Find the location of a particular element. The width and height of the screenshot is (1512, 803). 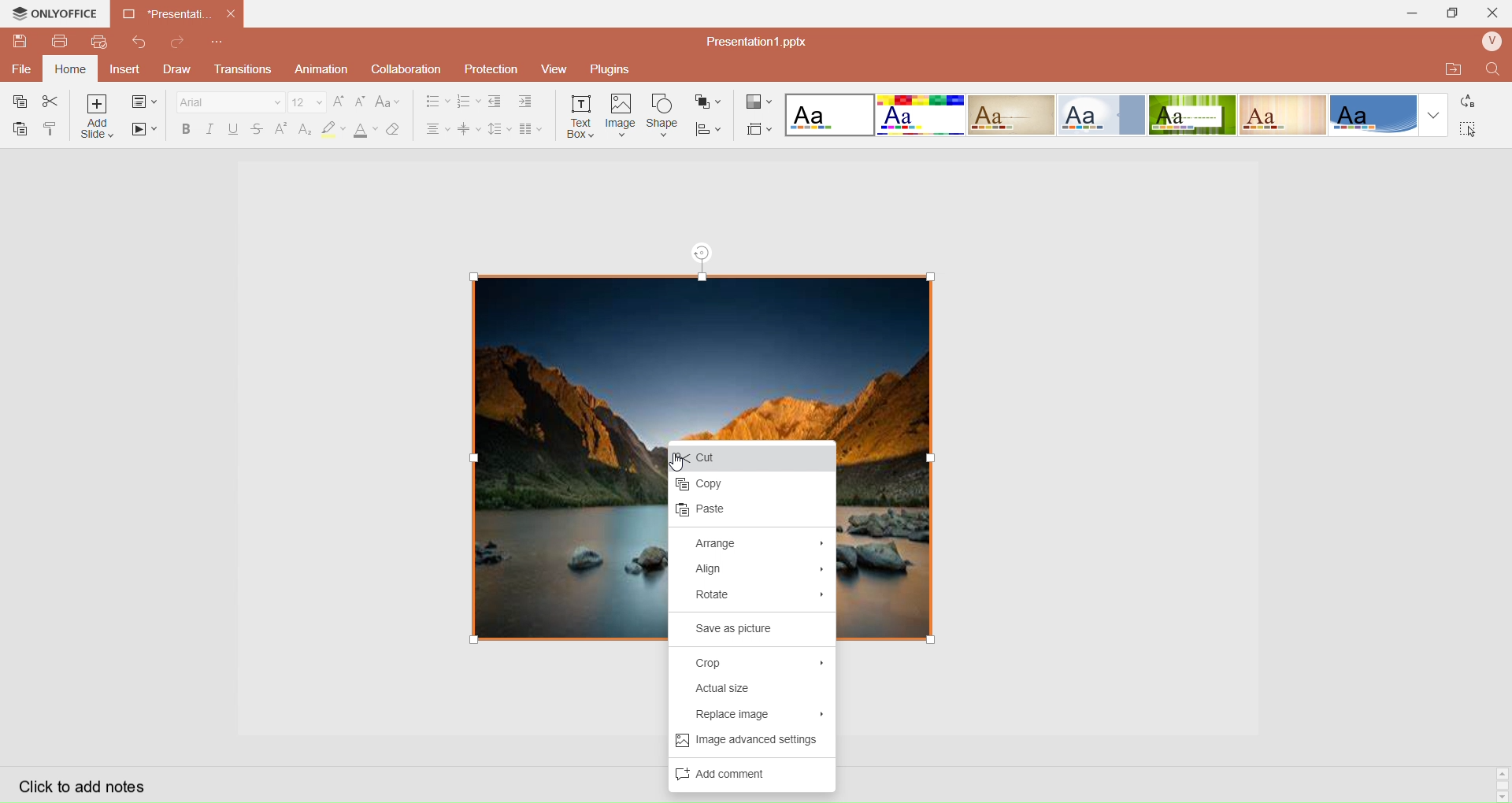

Underline is located at coordinates (233, 130).